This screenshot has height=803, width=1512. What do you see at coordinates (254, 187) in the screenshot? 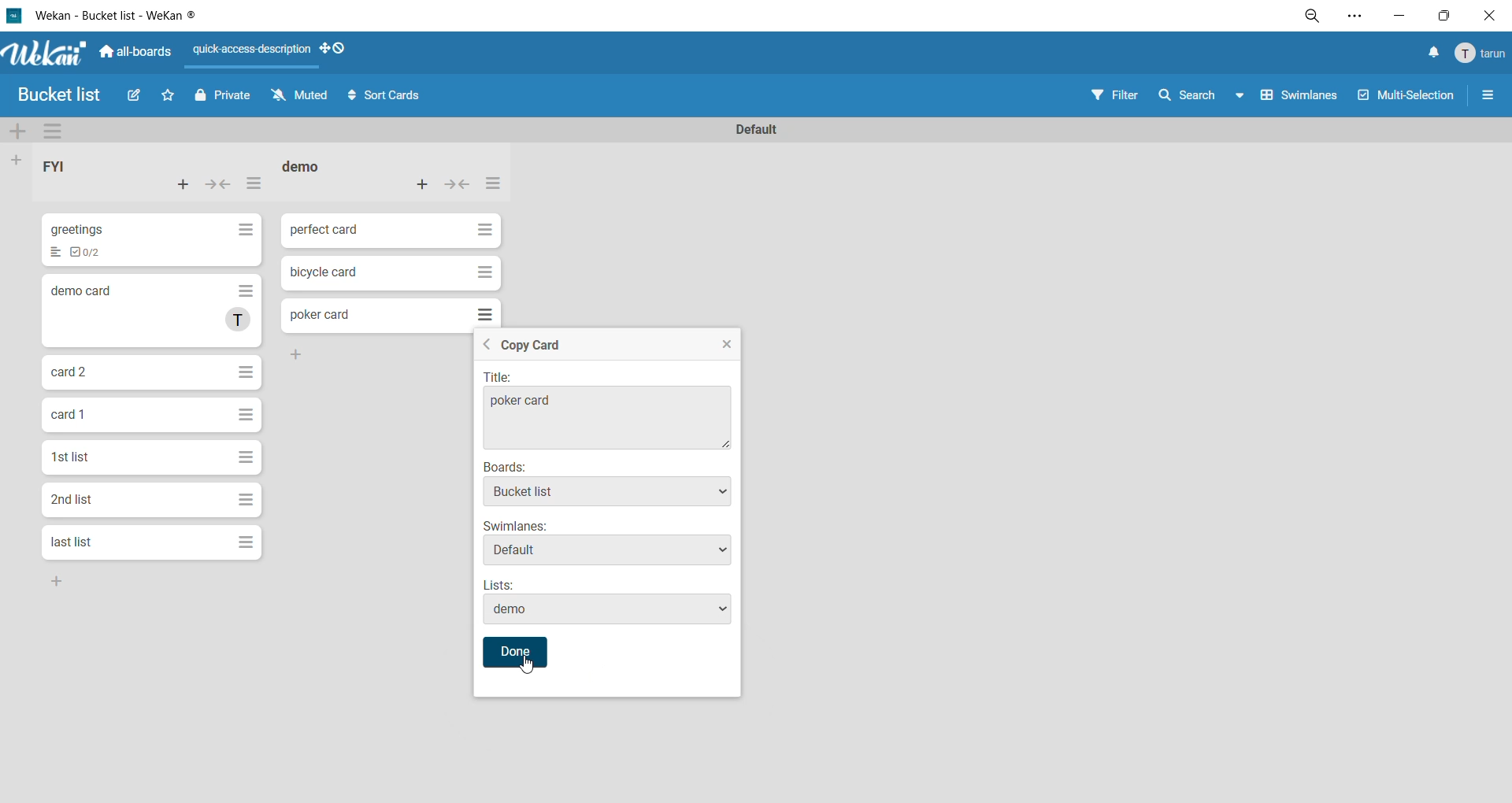
I see `list actions` at bounding box center [254, 187].